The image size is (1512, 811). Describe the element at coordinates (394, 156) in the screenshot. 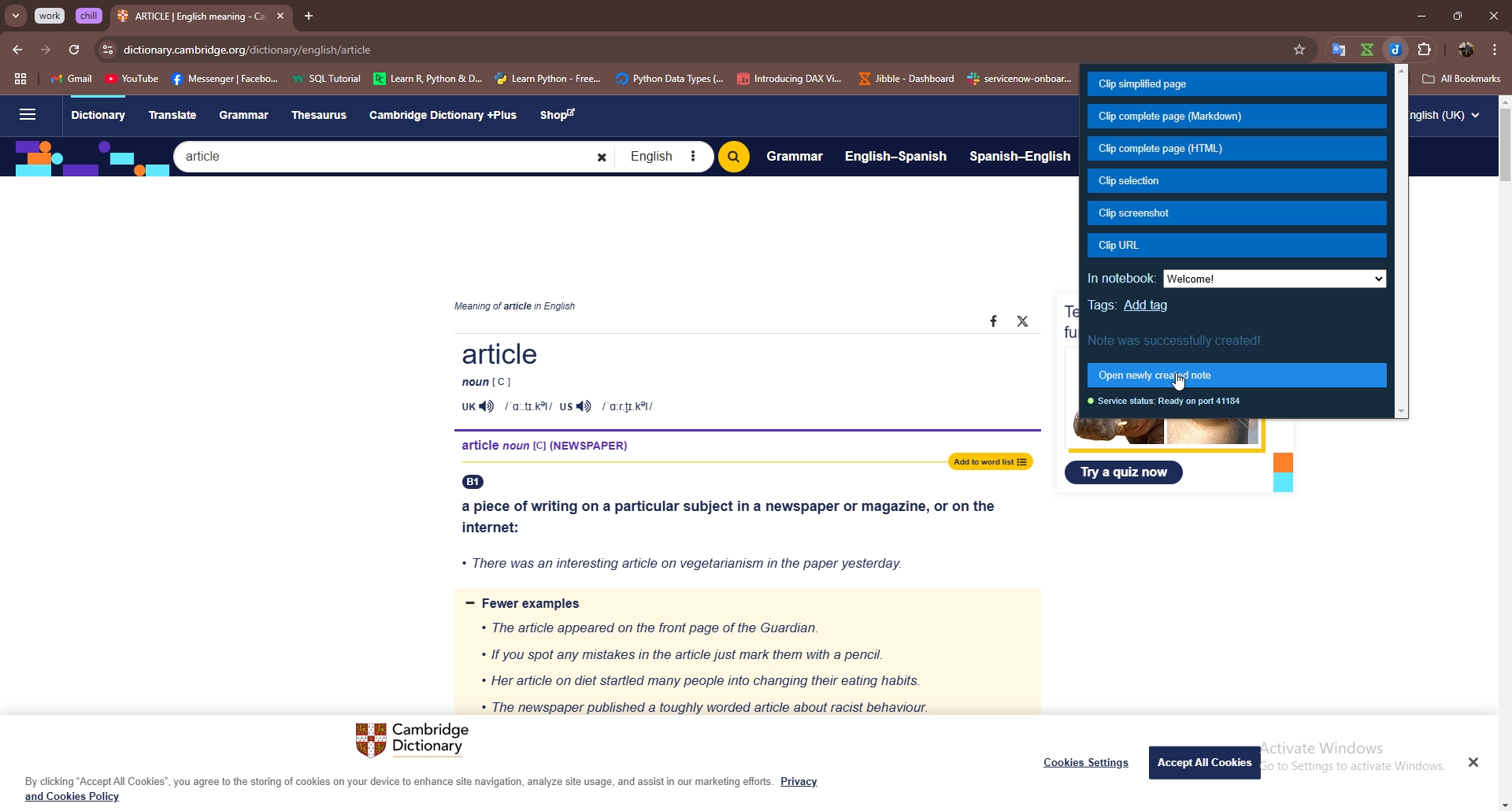

I see `Search bar` at that location.